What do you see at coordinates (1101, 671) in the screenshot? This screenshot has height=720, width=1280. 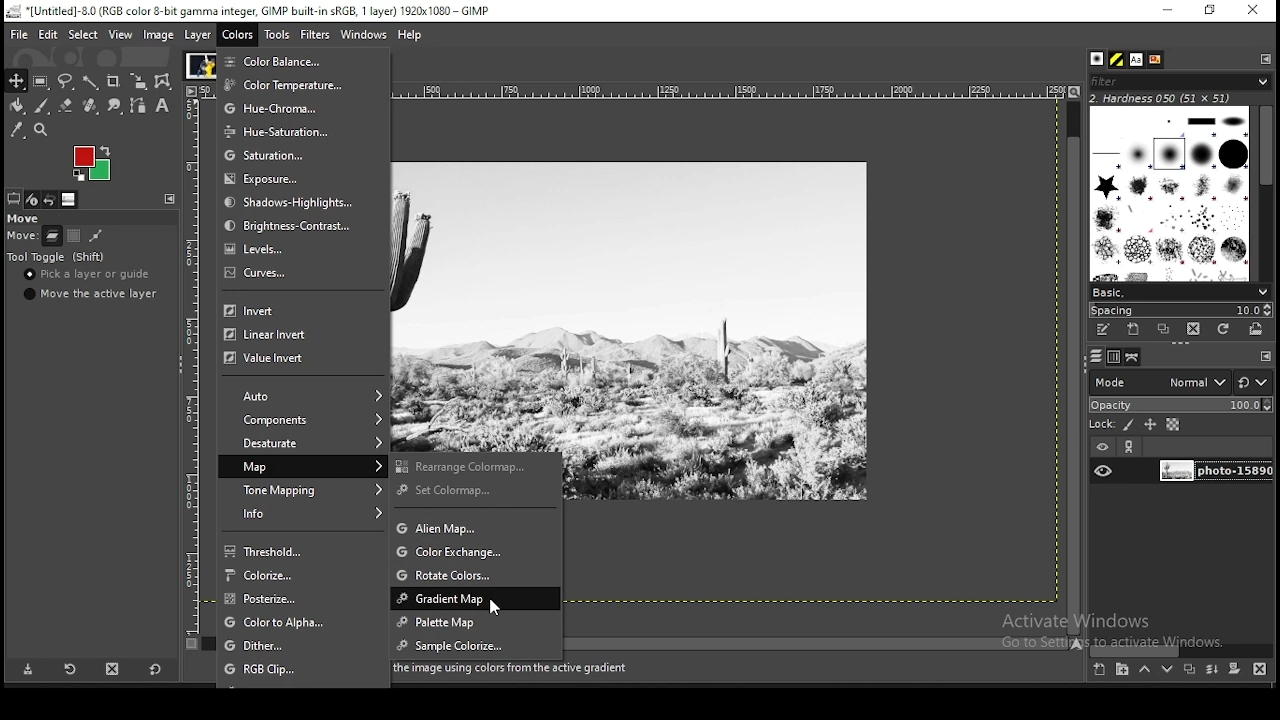 I see `new layer` at bounding box center [1101, 671].